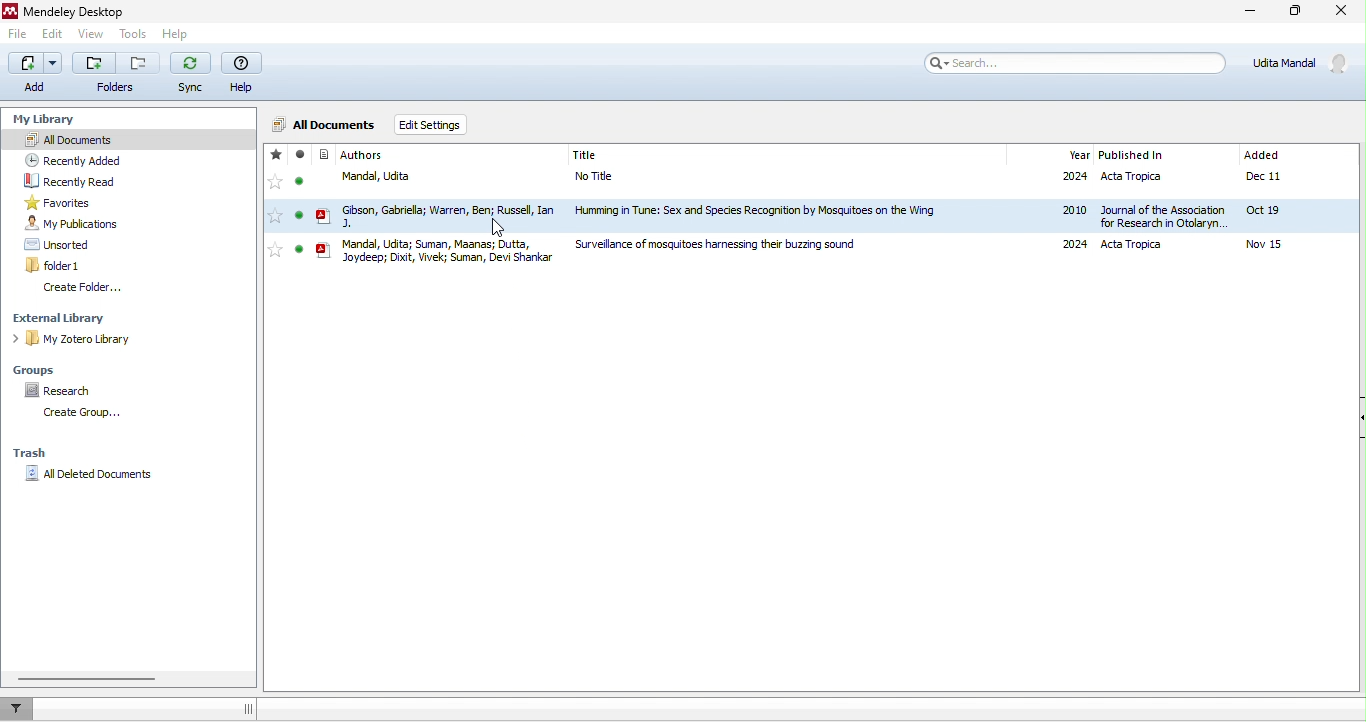 The image size is (1366, 722). Describe the element at coordinates (62, 245) in the screenshot. I see `unsorted` at that location.